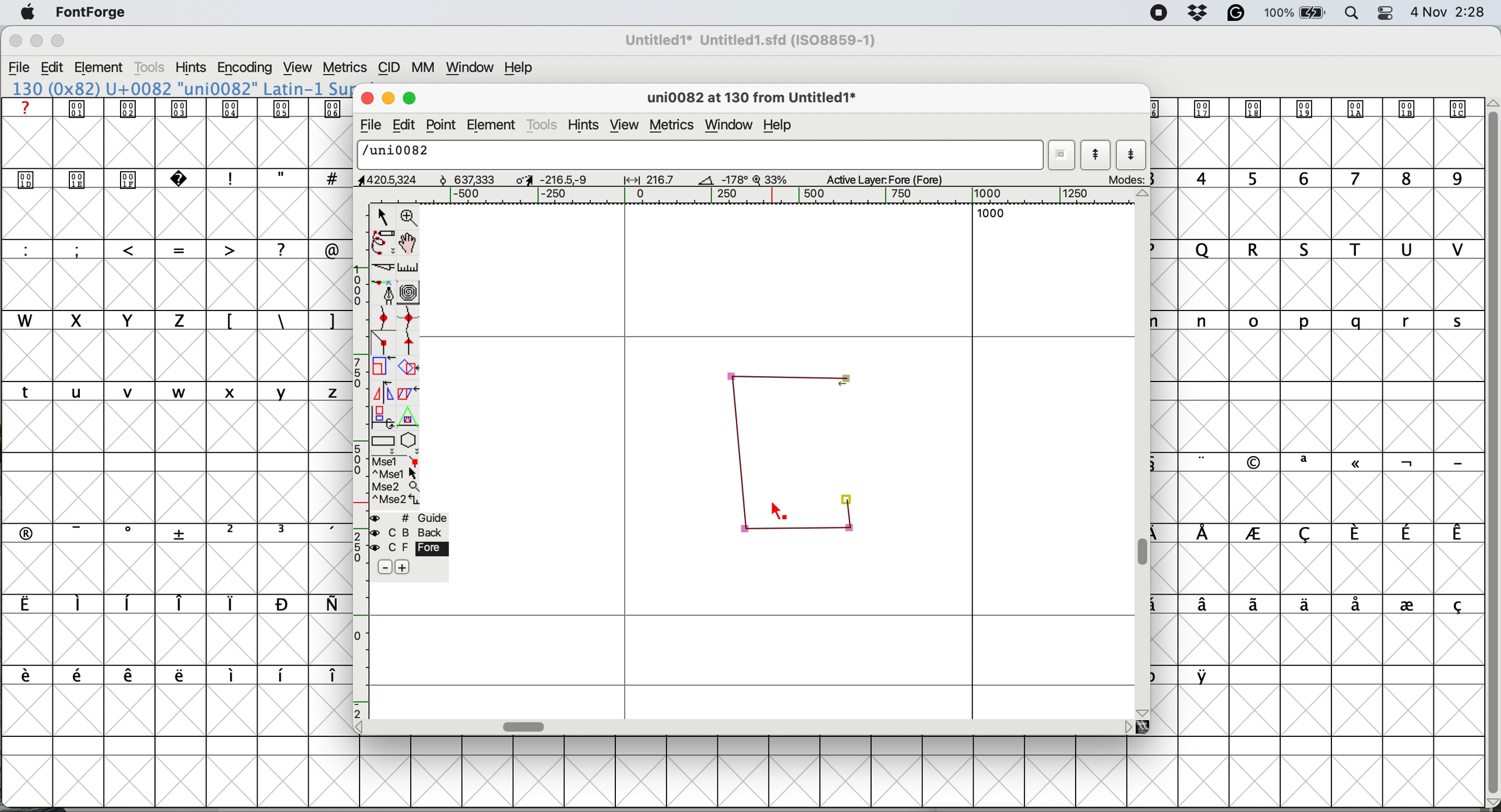 This screenshot has width=1501, height=812. I want to click on show next letter, so click(1132, 156).